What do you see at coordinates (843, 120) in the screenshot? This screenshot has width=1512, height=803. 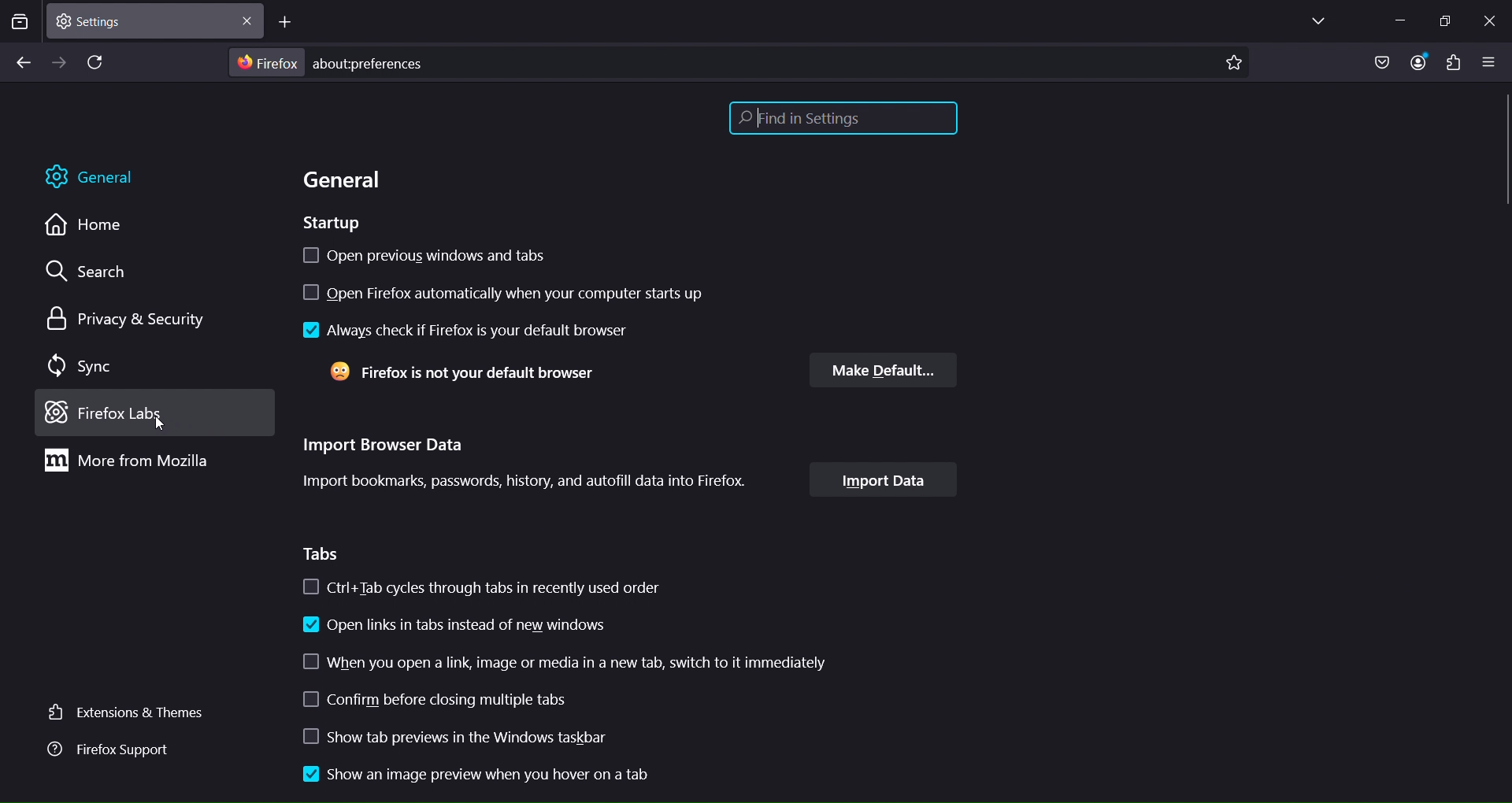 I see `find in settings` at bounding box center [843, 120].